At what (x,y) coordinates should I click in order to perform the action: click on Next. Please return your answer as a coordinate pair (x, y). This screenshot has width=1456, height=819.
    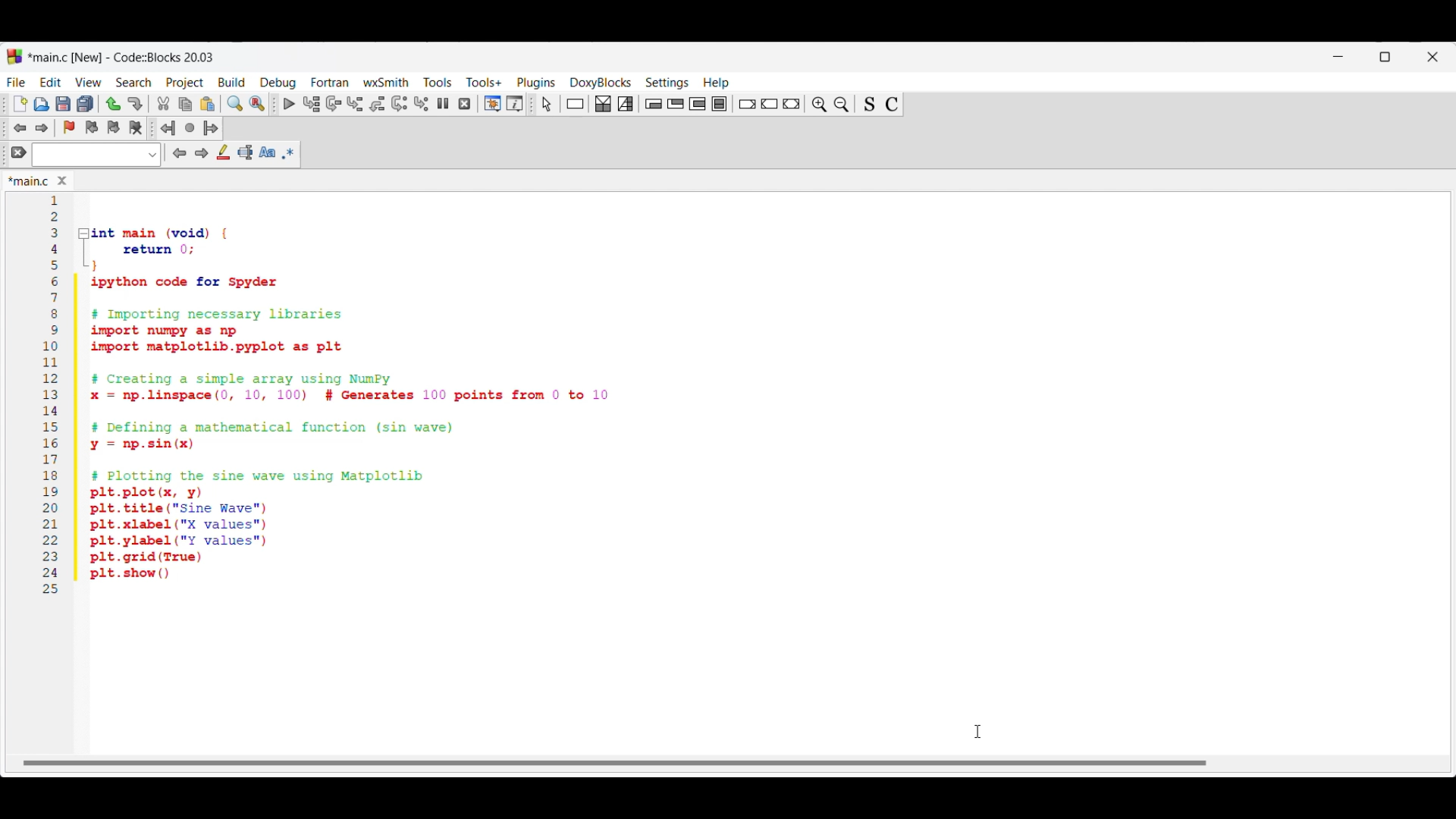
    Looking at the image, I should click on (201, 152).